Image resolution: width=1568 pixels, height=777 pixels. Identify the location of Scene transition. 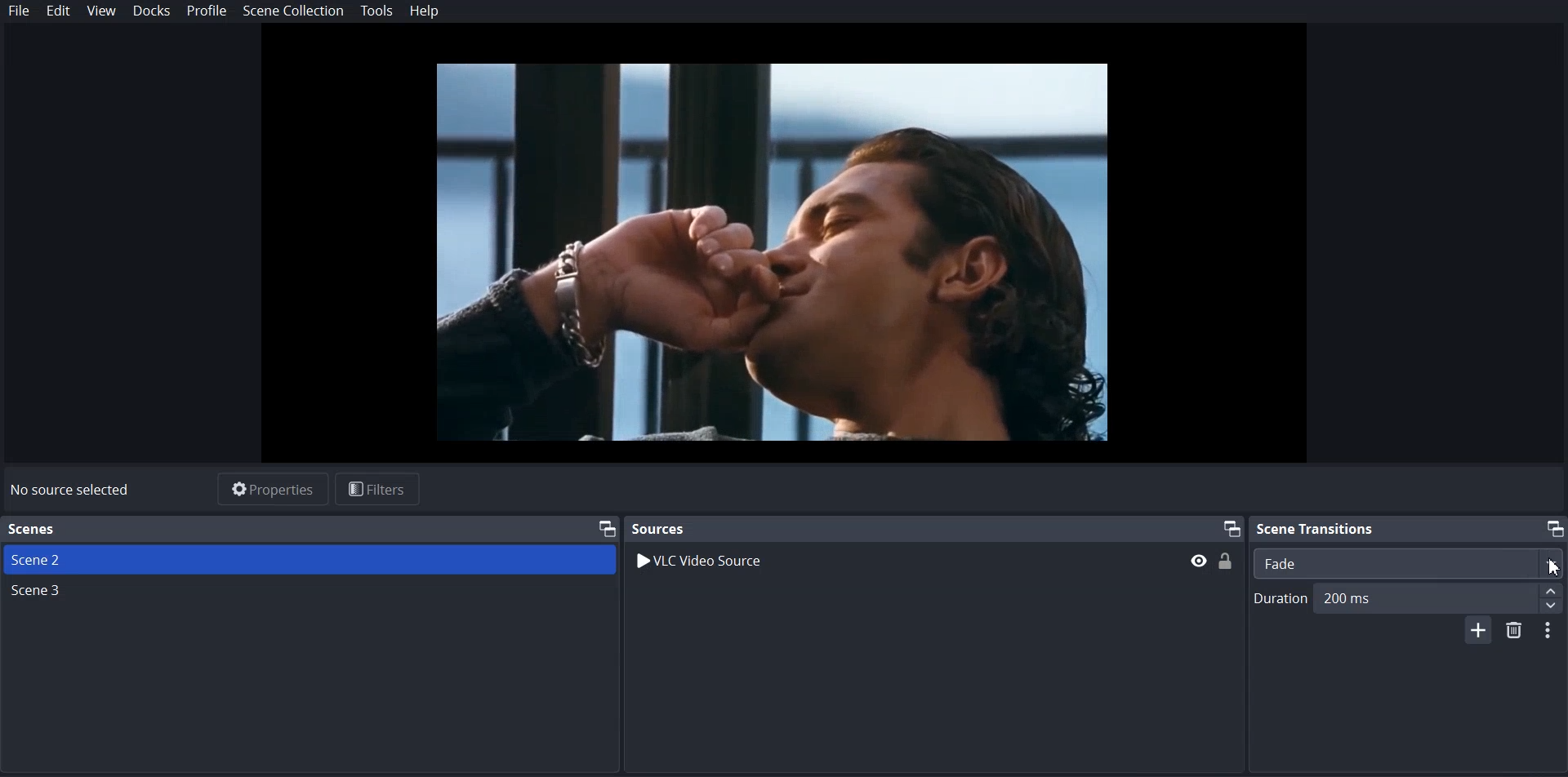
(1409, 527).